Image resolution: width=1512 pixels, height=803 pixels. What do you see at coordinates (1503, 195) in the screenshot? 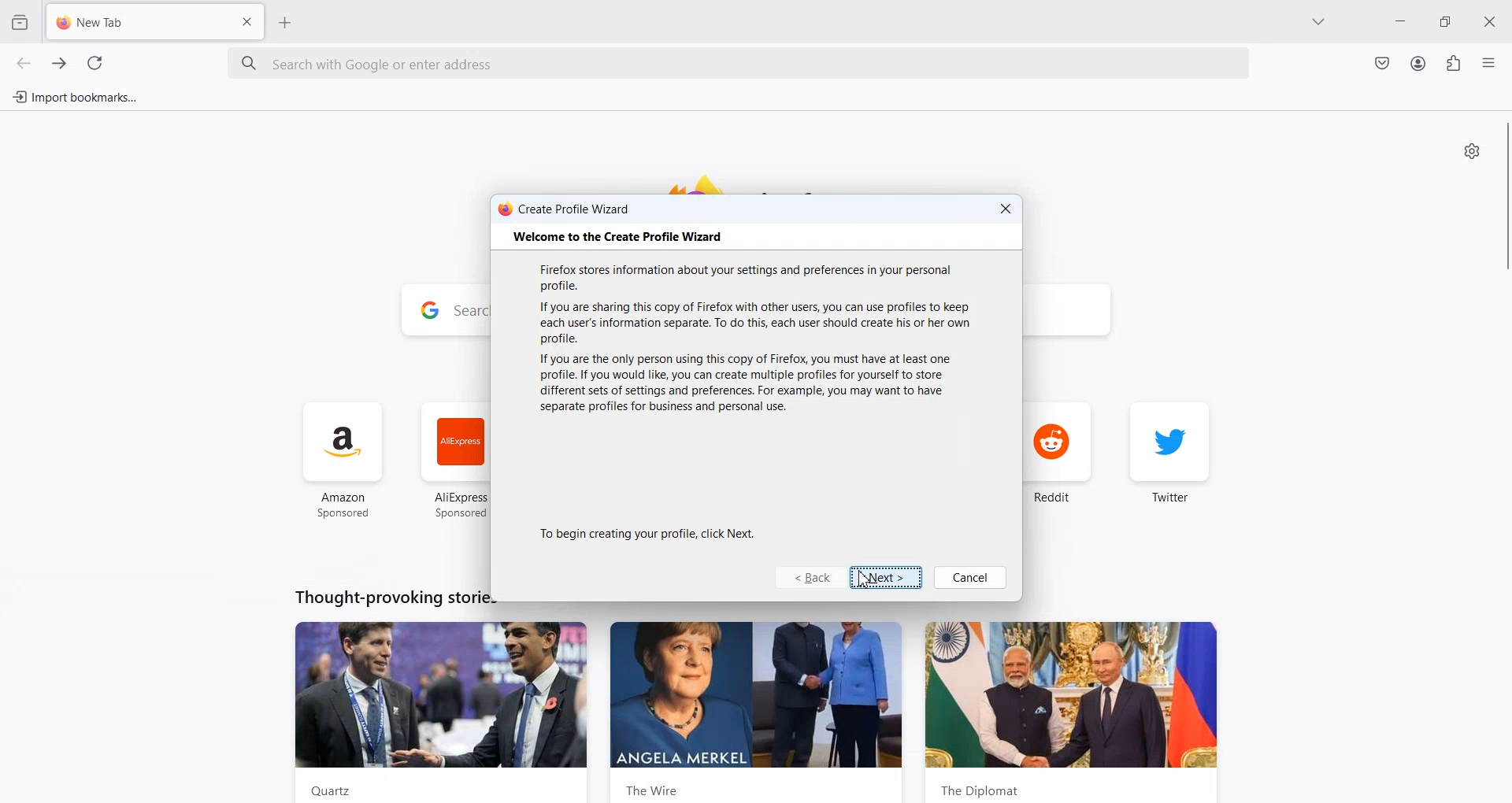
I see `vertical scrollbar` at bounding box center [1503, 195].